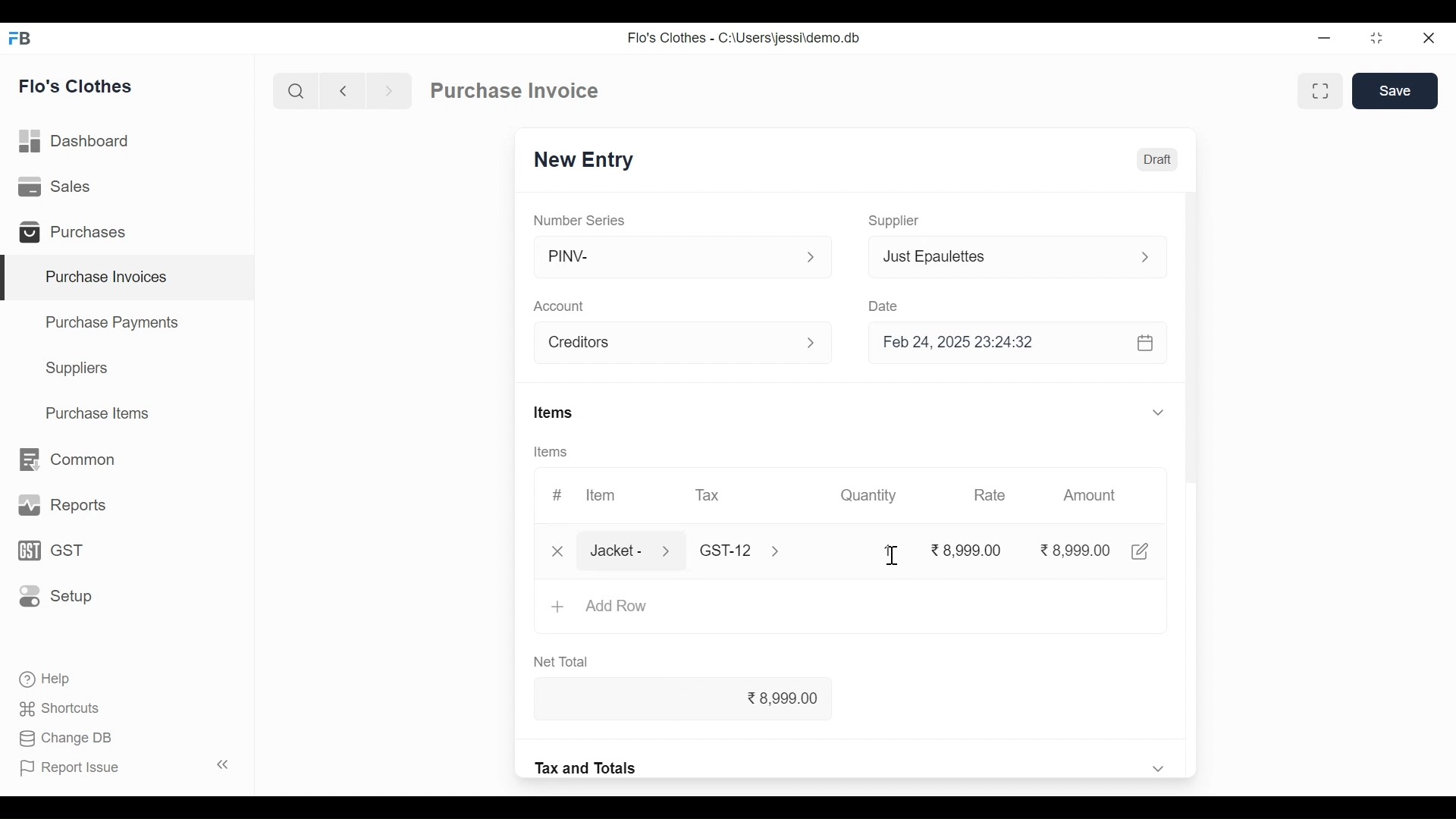 The width and height of the screenshot is (1456, 819). Describe the element at coordinates (297, 90) in the screenshot. I see `Search` at that location.